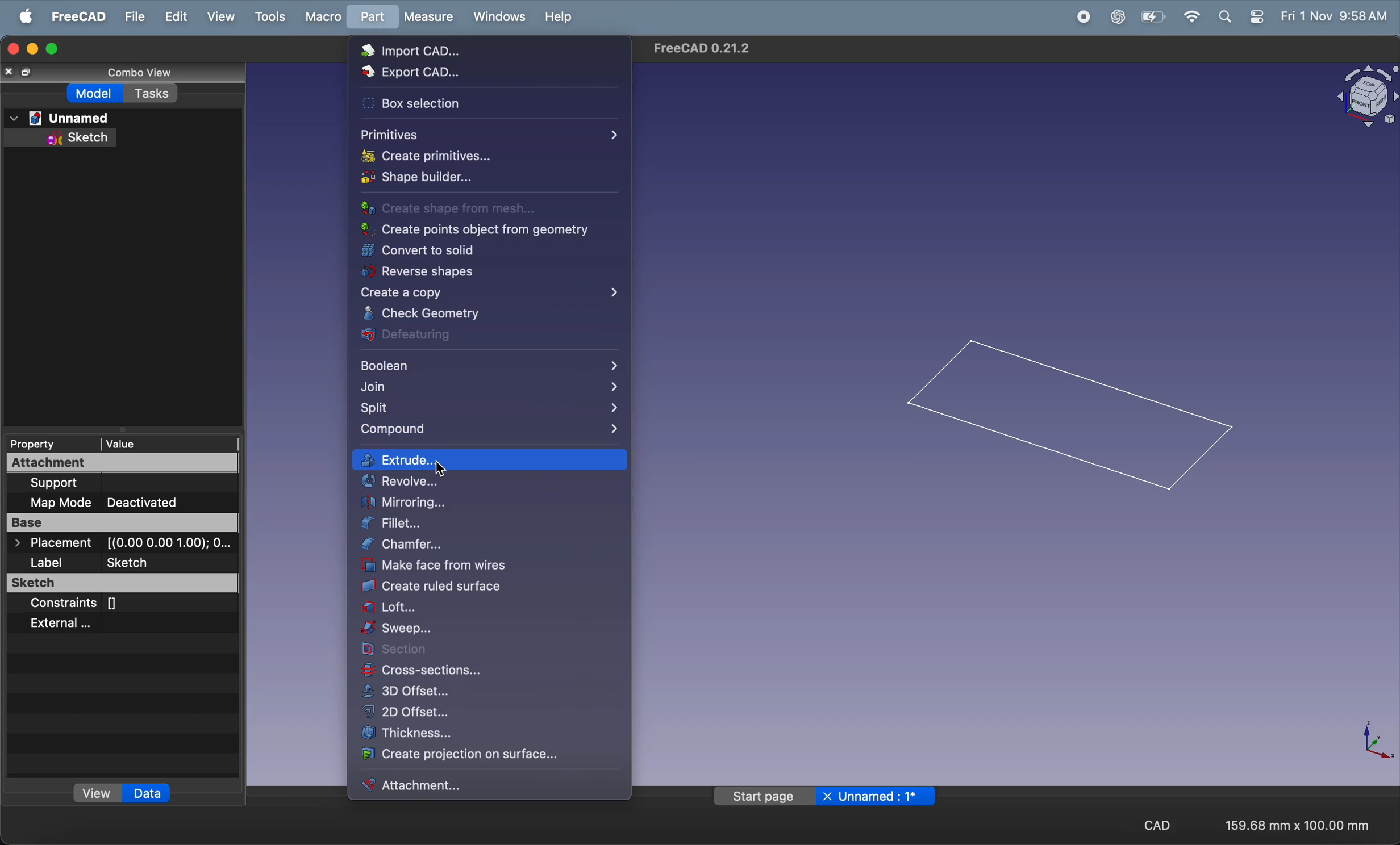 This screenshot has width=1400, height=845. I want to click on maximize, so click(55, 48).